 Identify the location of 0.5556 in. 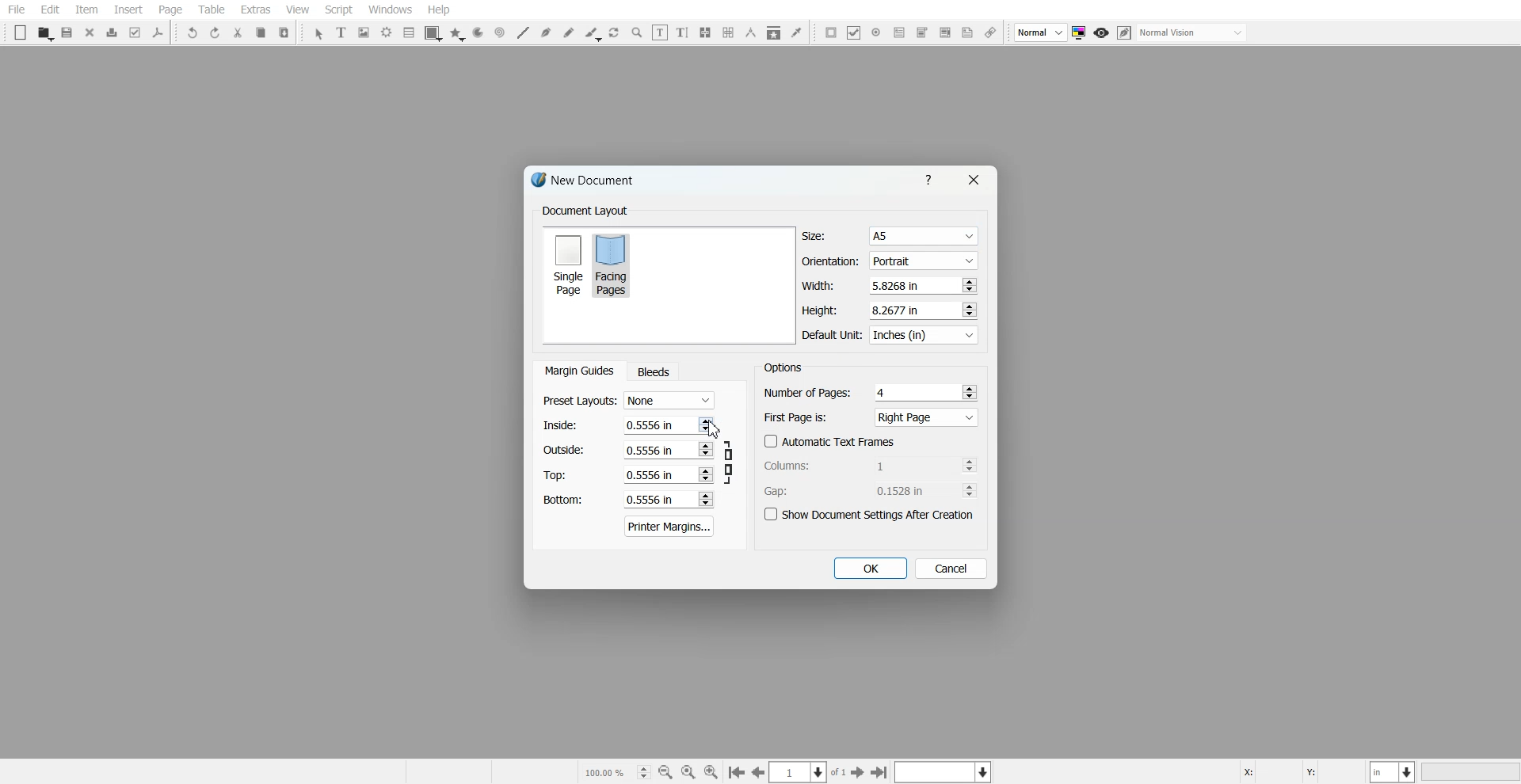
(647, 449).